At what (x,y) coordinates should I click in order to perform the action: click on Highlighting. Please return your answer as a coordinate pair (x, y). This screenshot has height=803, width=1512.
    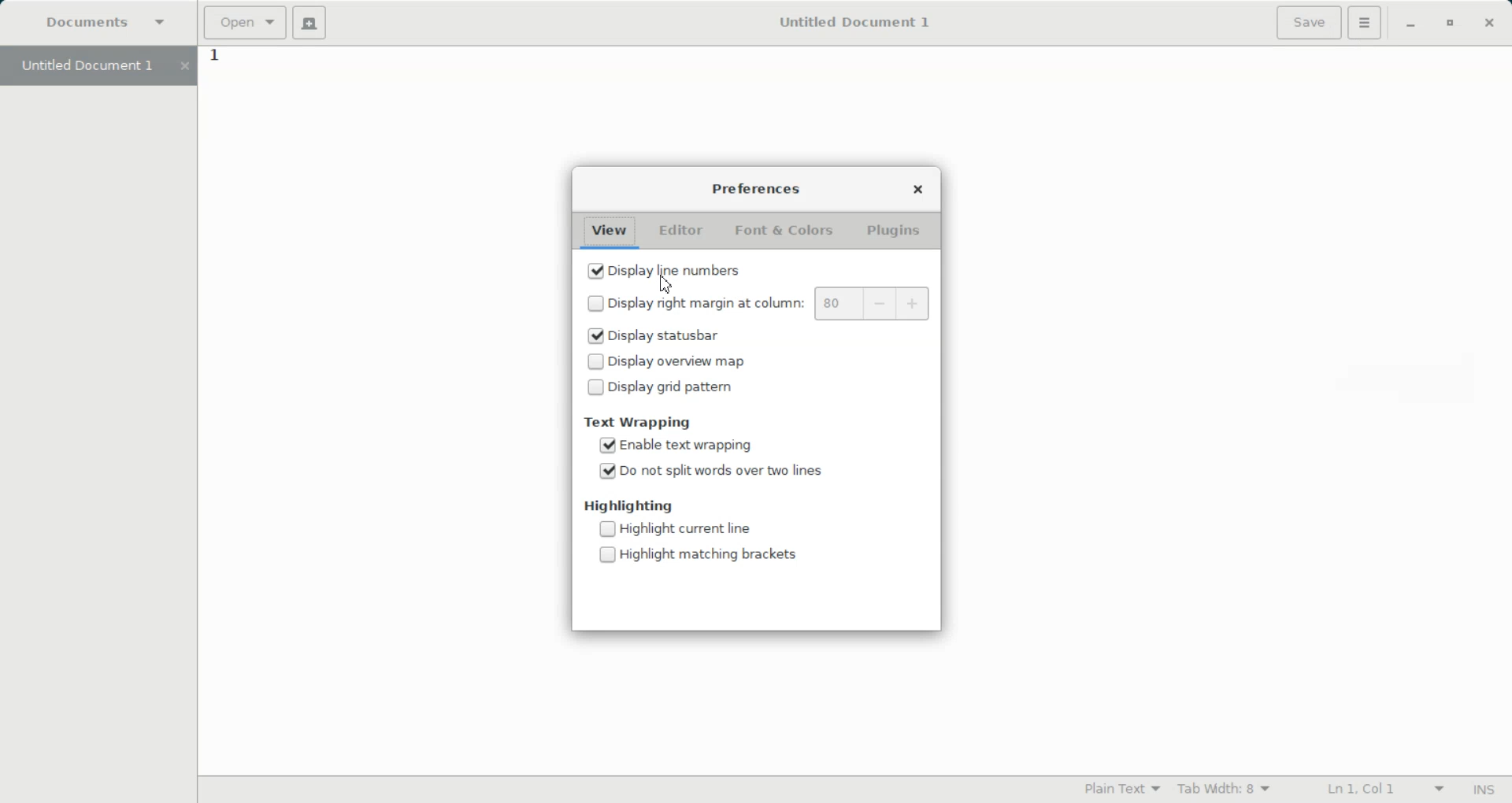
    Looking at the image, I should click on (629, 506).